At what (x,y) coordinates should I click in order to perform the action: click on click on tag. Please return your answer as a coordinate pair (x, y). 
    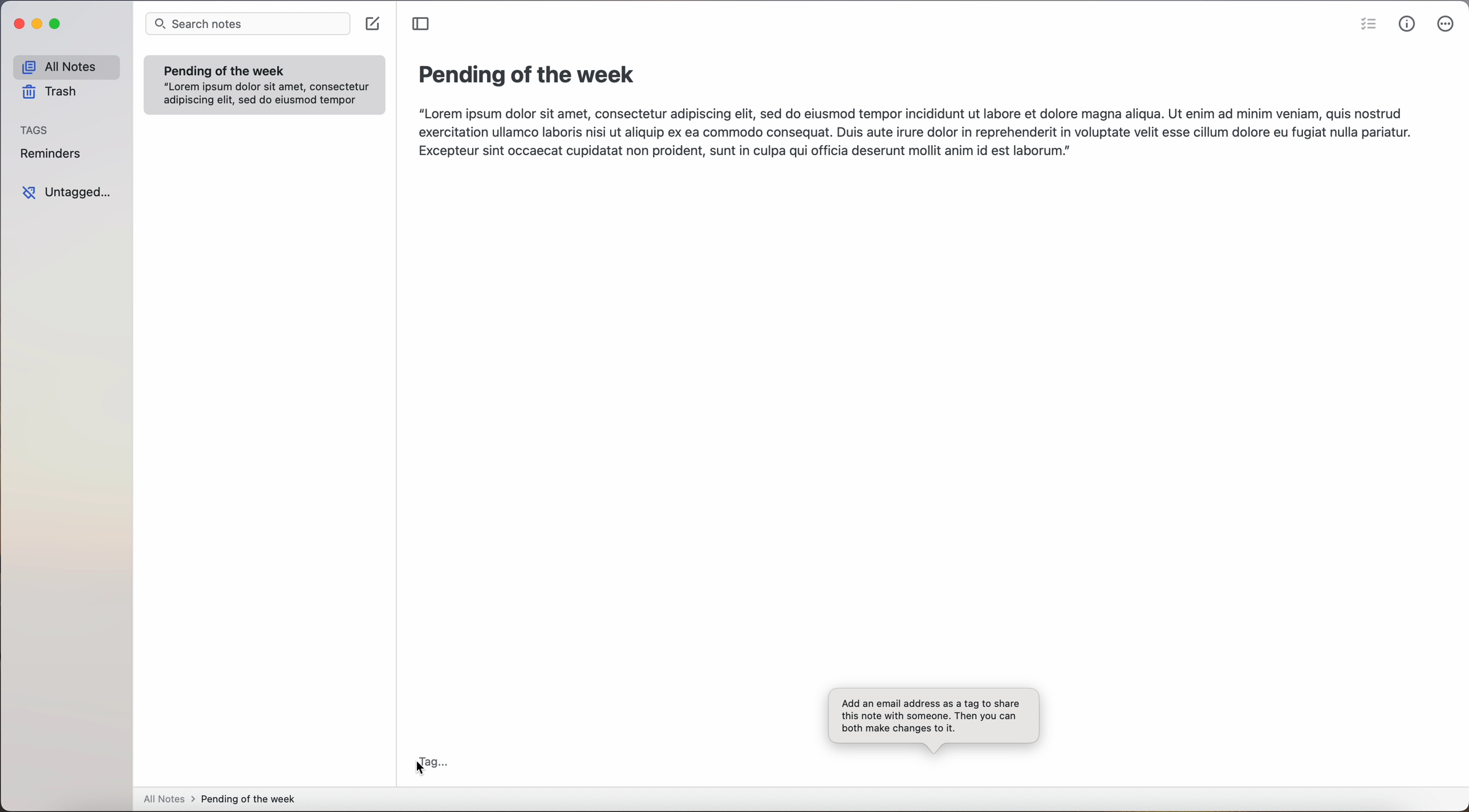
    Looking at the image, I should click on (433, 761).